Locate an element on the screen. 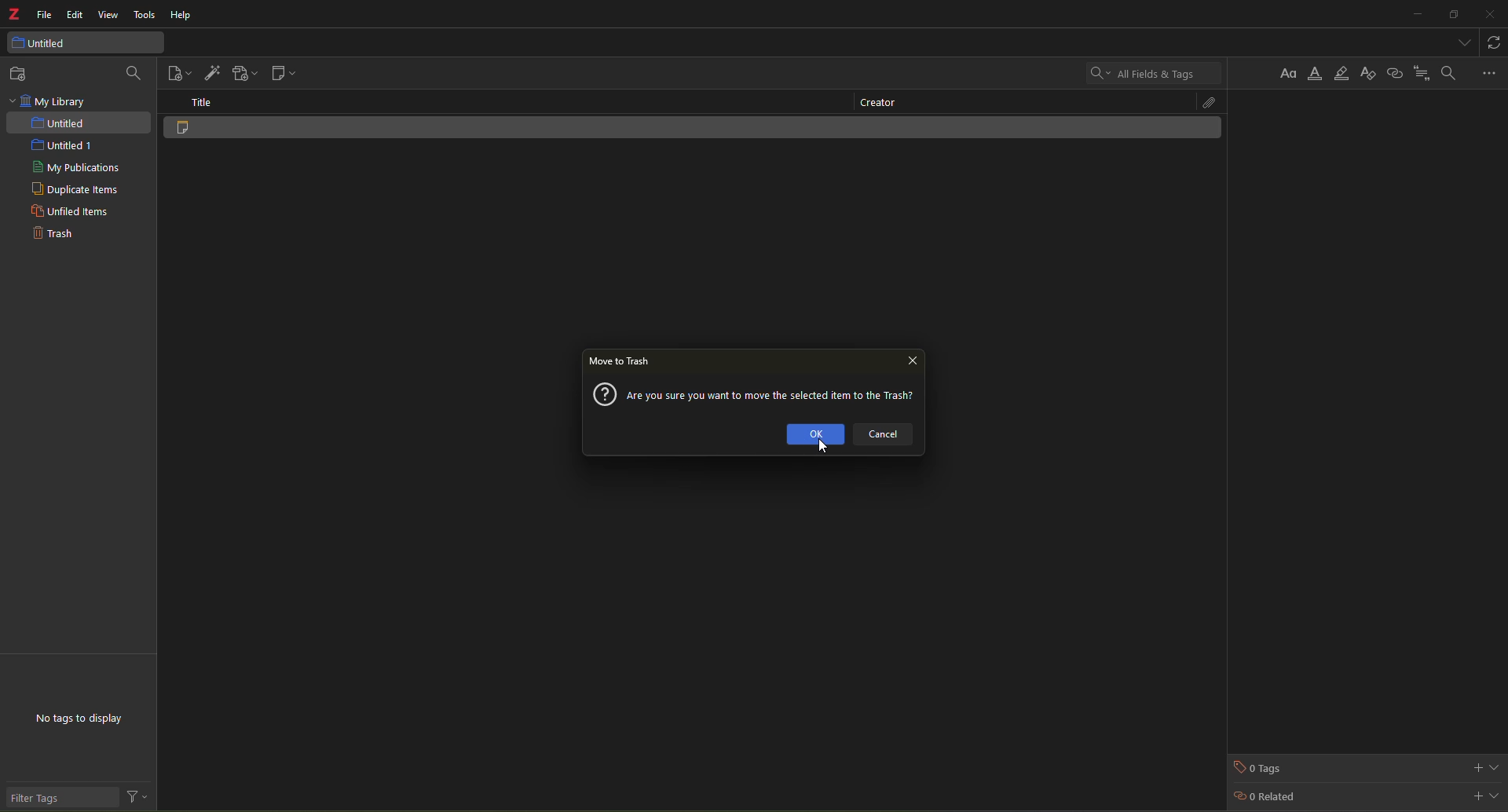 Image resolution: width=1508 pixels, height=812 pixels. unfiled items is located at coordinates (68, 212).